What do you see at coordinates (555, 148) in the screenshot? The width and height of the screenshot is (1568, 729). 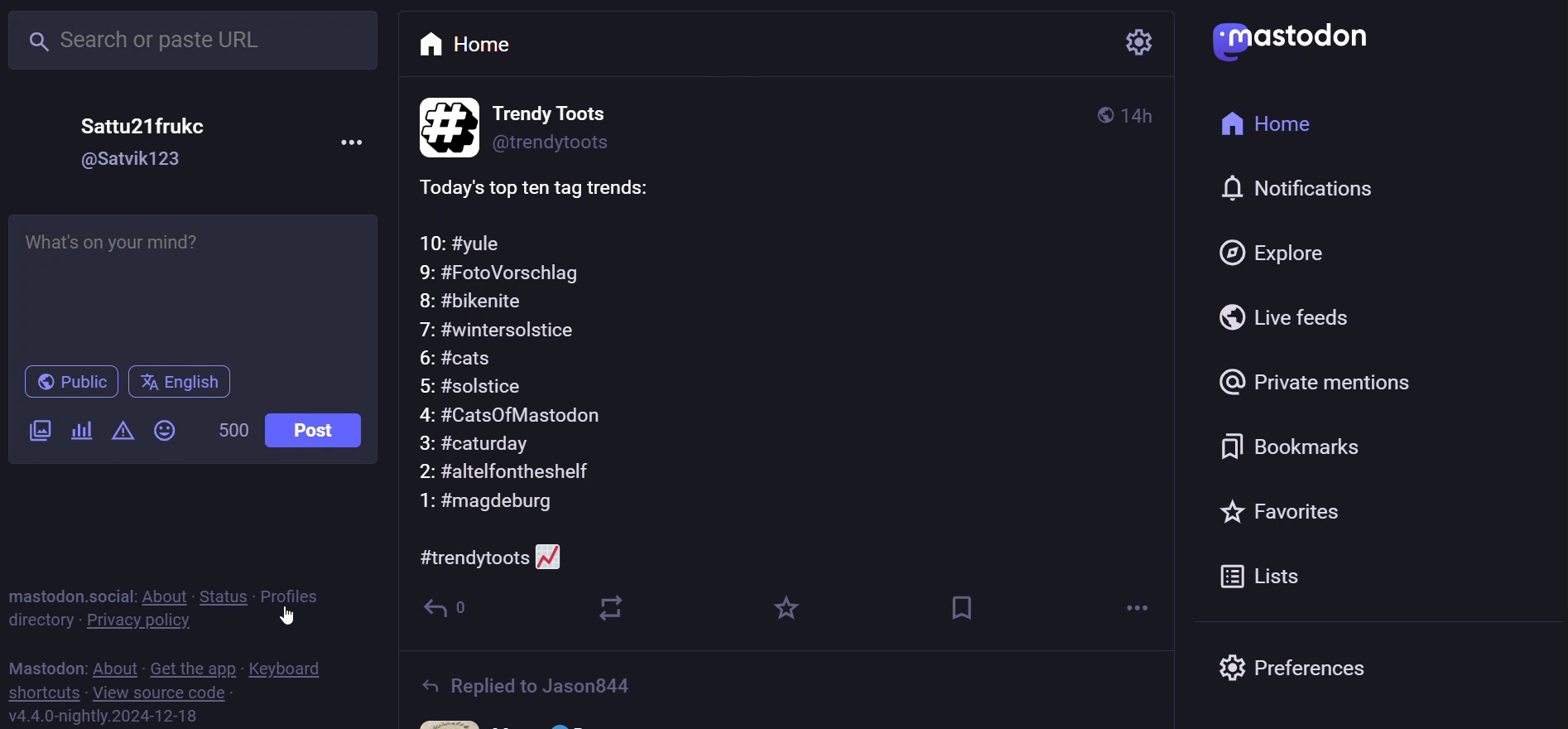 I see `@trendytoots` at bounding box center [555, 148].